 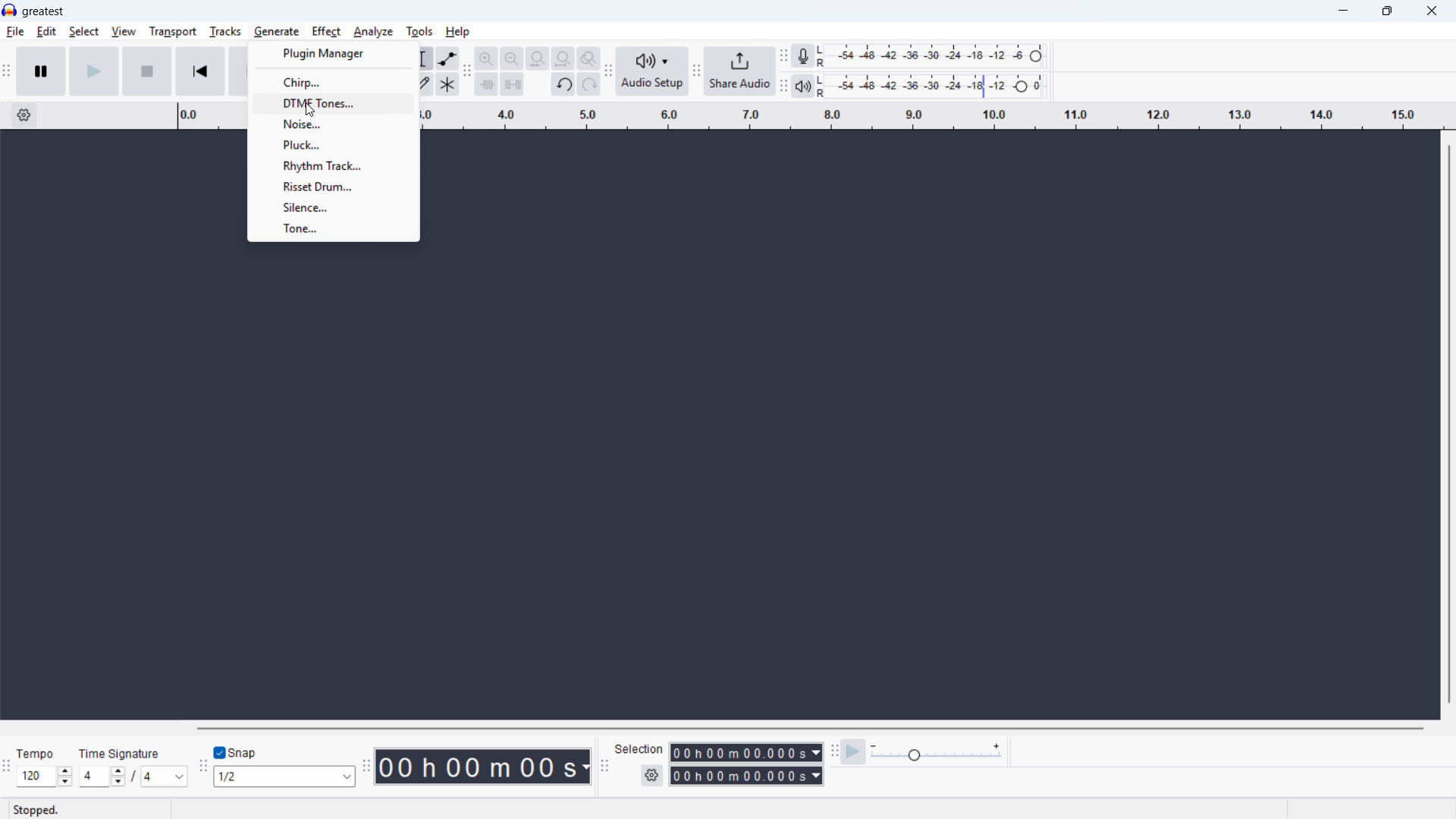 What do you see at coordinates (513, 58) in the screenshot?
I see `zoom out` at bounding box center [513, 58].